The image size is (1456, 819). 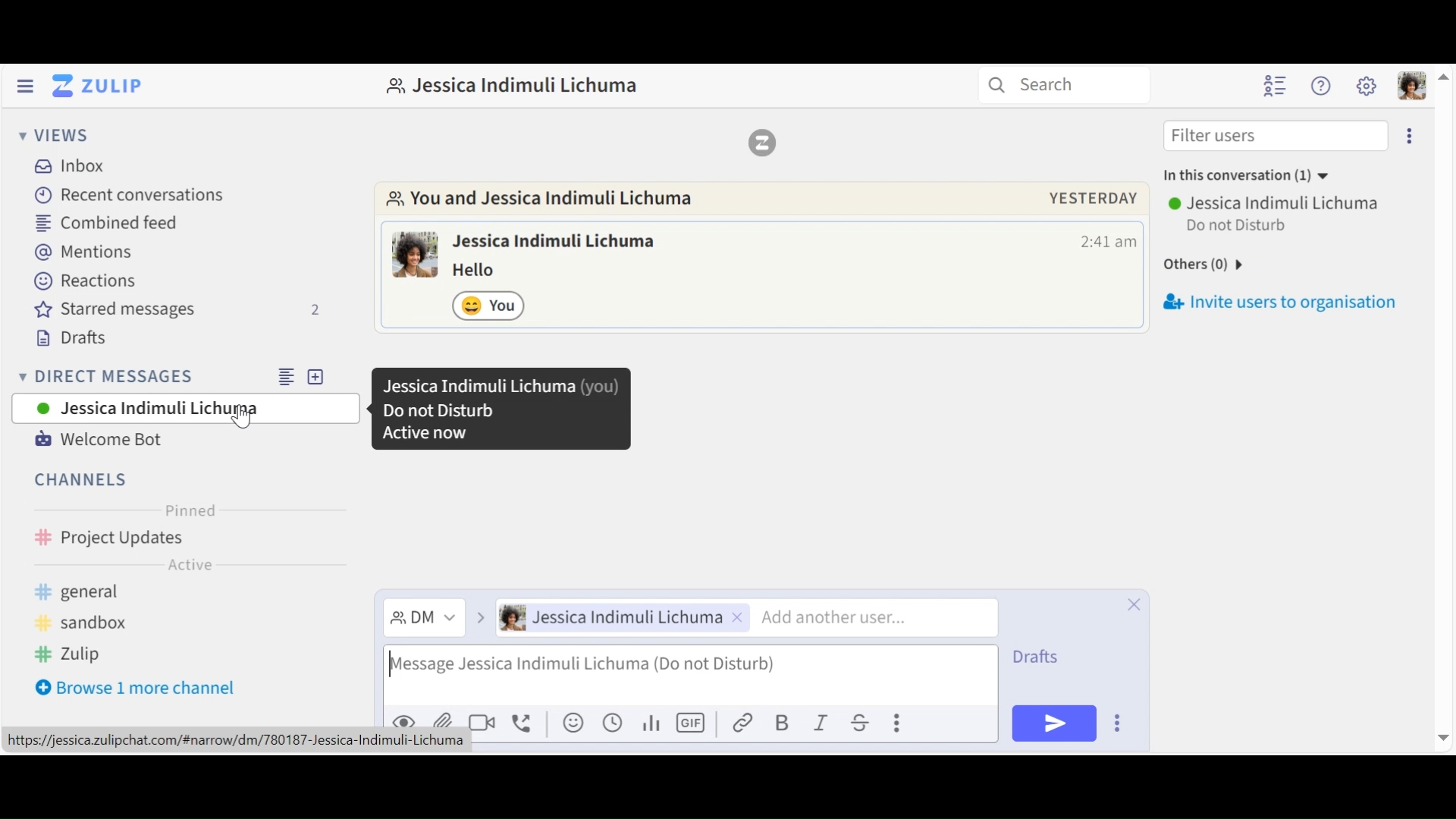 I want to click on Mentions, so click(x=86, y=253).